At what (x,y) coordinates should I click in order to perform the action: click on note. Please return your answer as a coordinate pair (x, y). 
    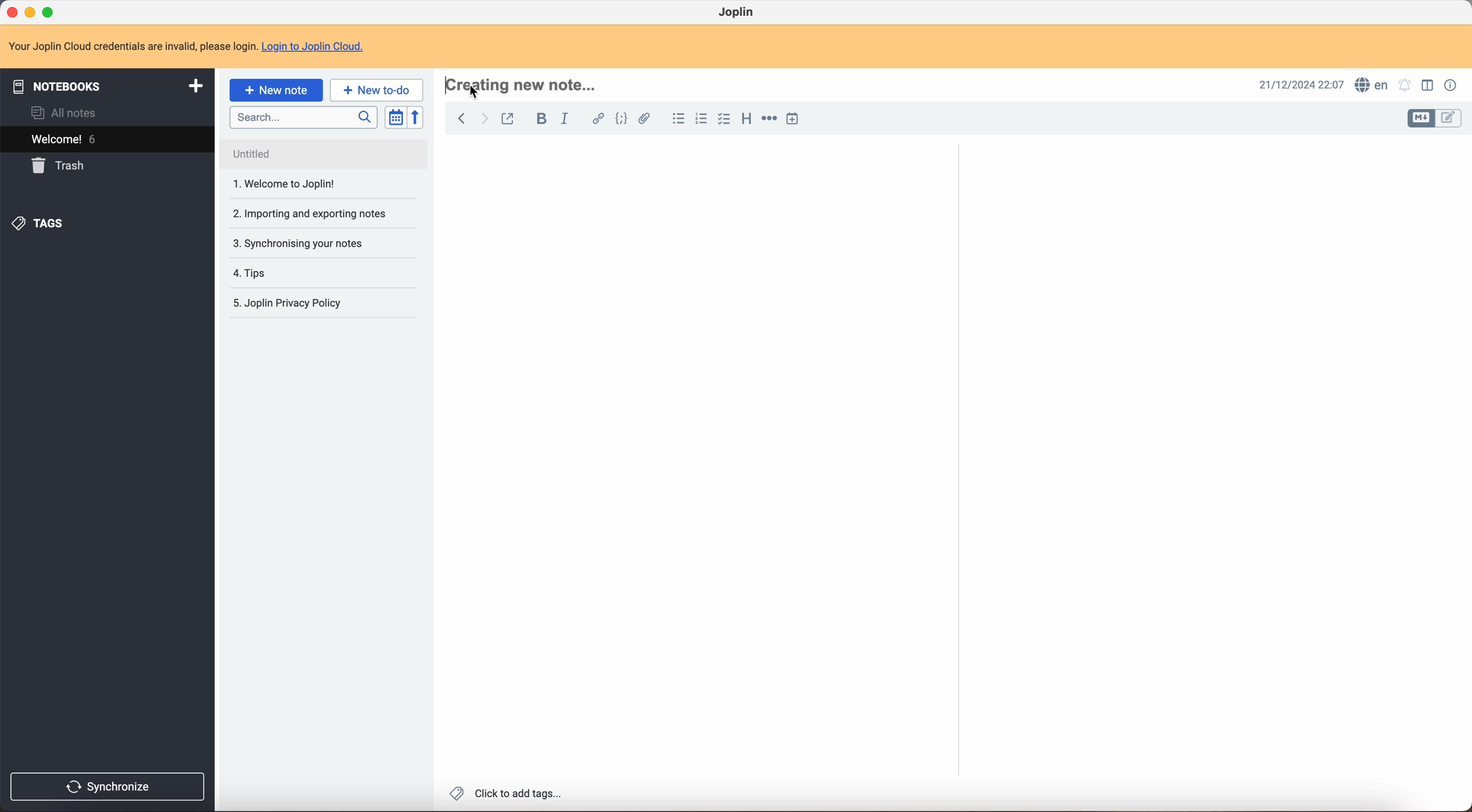
    Looking at the image, I should click on (187, 47).